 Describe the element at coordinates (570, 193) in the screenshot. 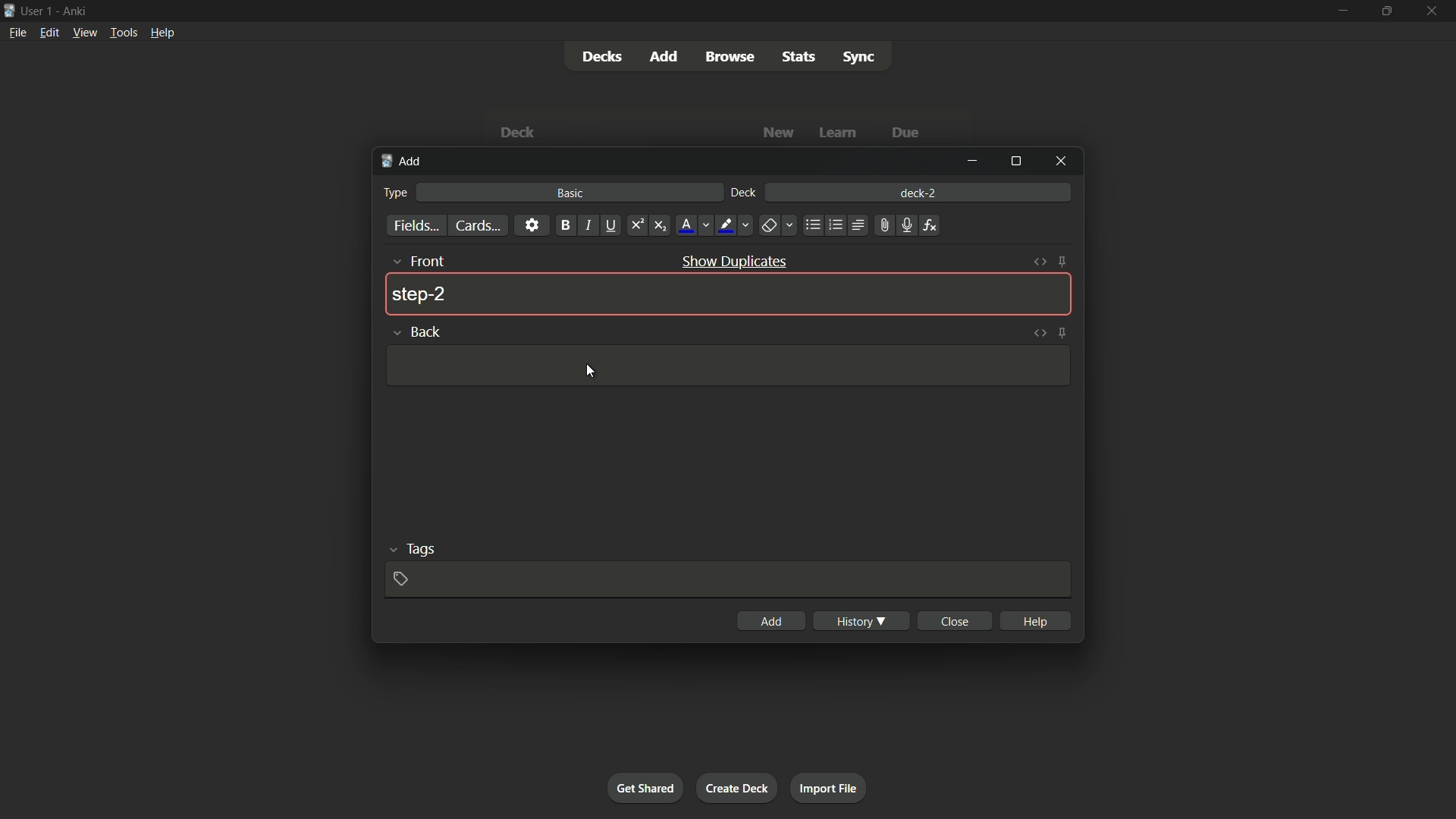

I see `basic` at that location.